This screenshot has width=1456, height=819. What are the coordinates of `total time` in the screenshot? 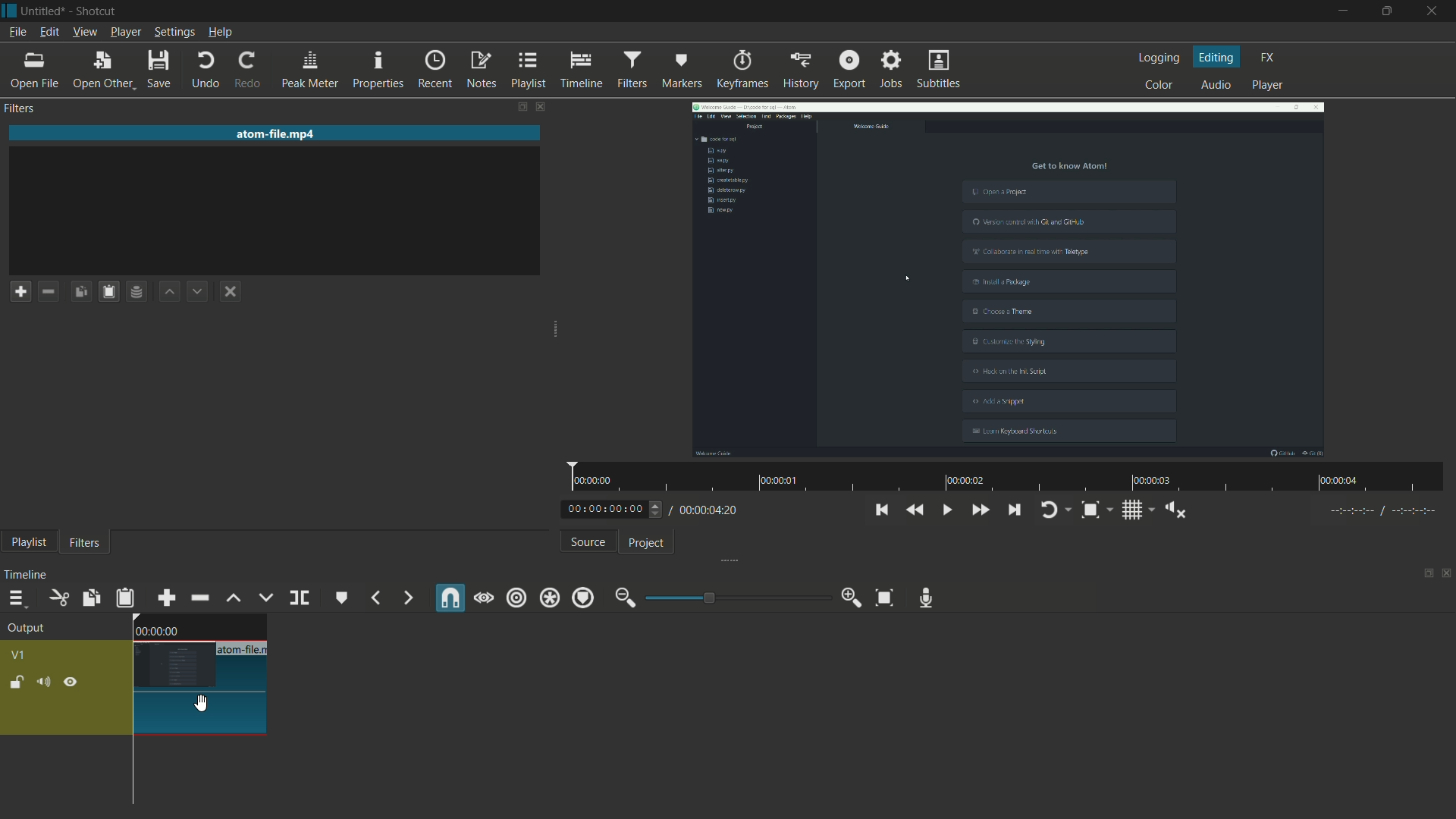 It's located at (711, 512).